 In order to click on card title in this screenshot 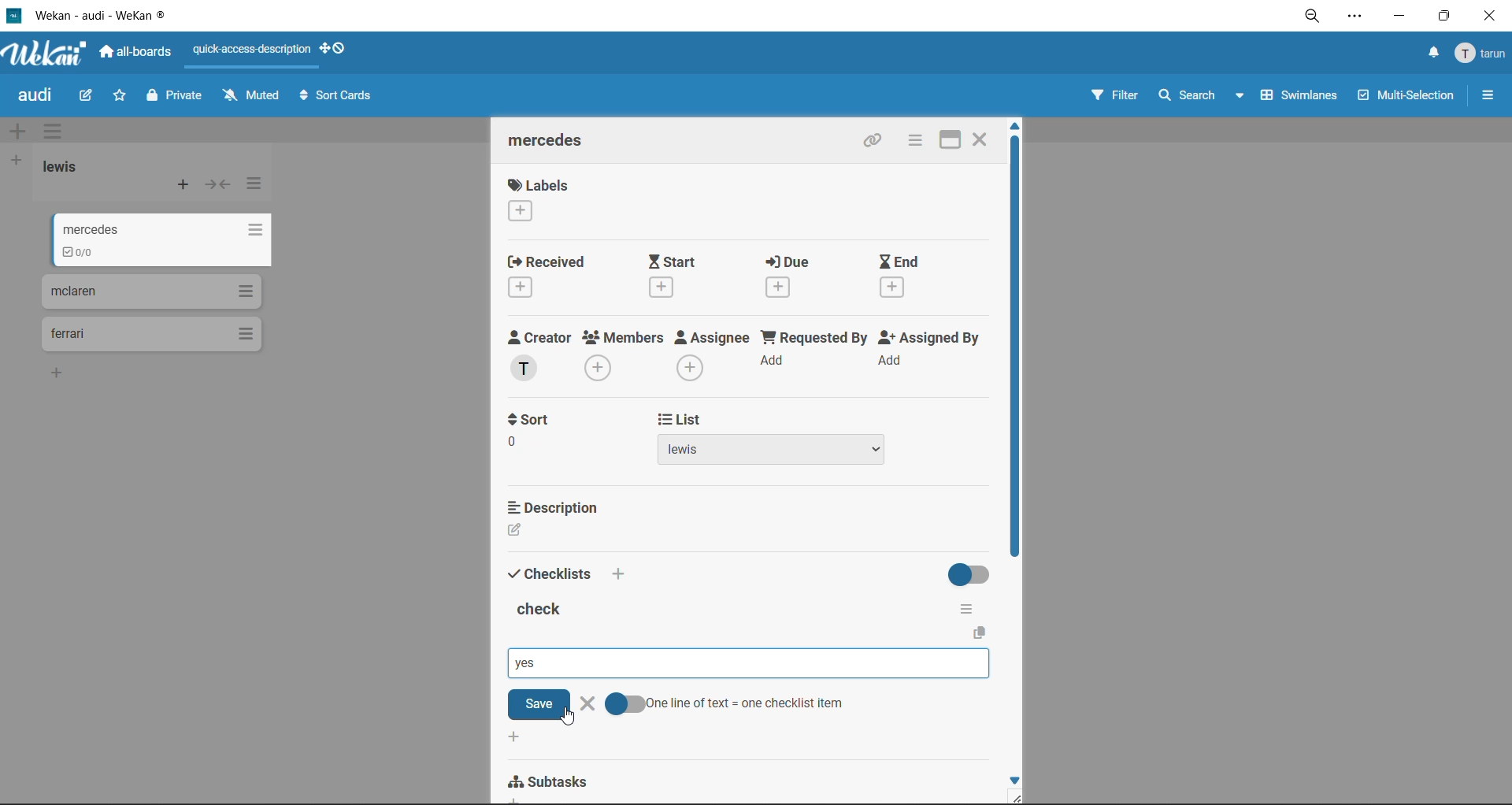, I will do `click(553, 143)`.